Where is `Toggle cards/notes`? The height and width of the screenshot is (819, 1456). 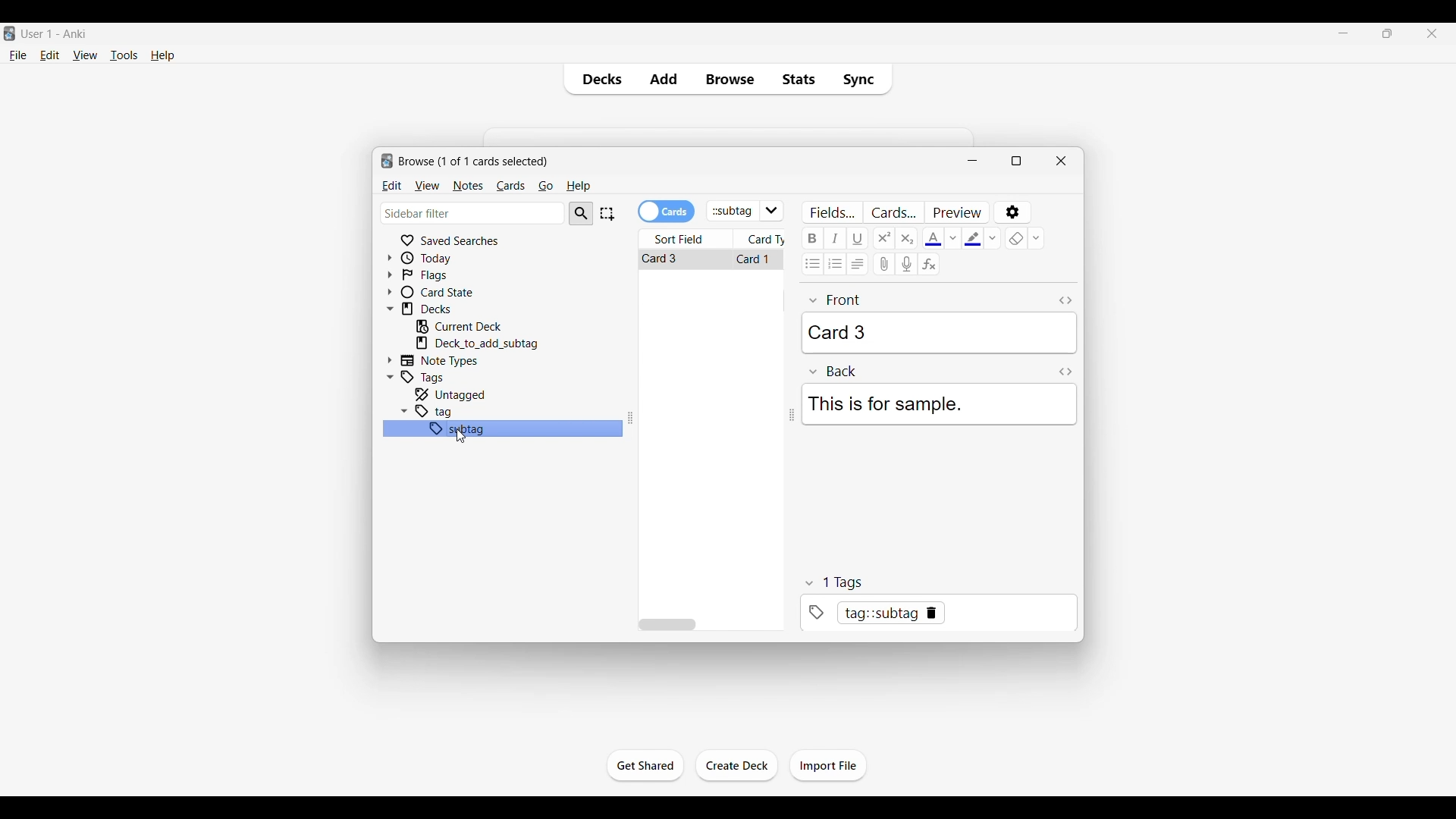
Toggle cards/notes is located at coordinates (666, 212).